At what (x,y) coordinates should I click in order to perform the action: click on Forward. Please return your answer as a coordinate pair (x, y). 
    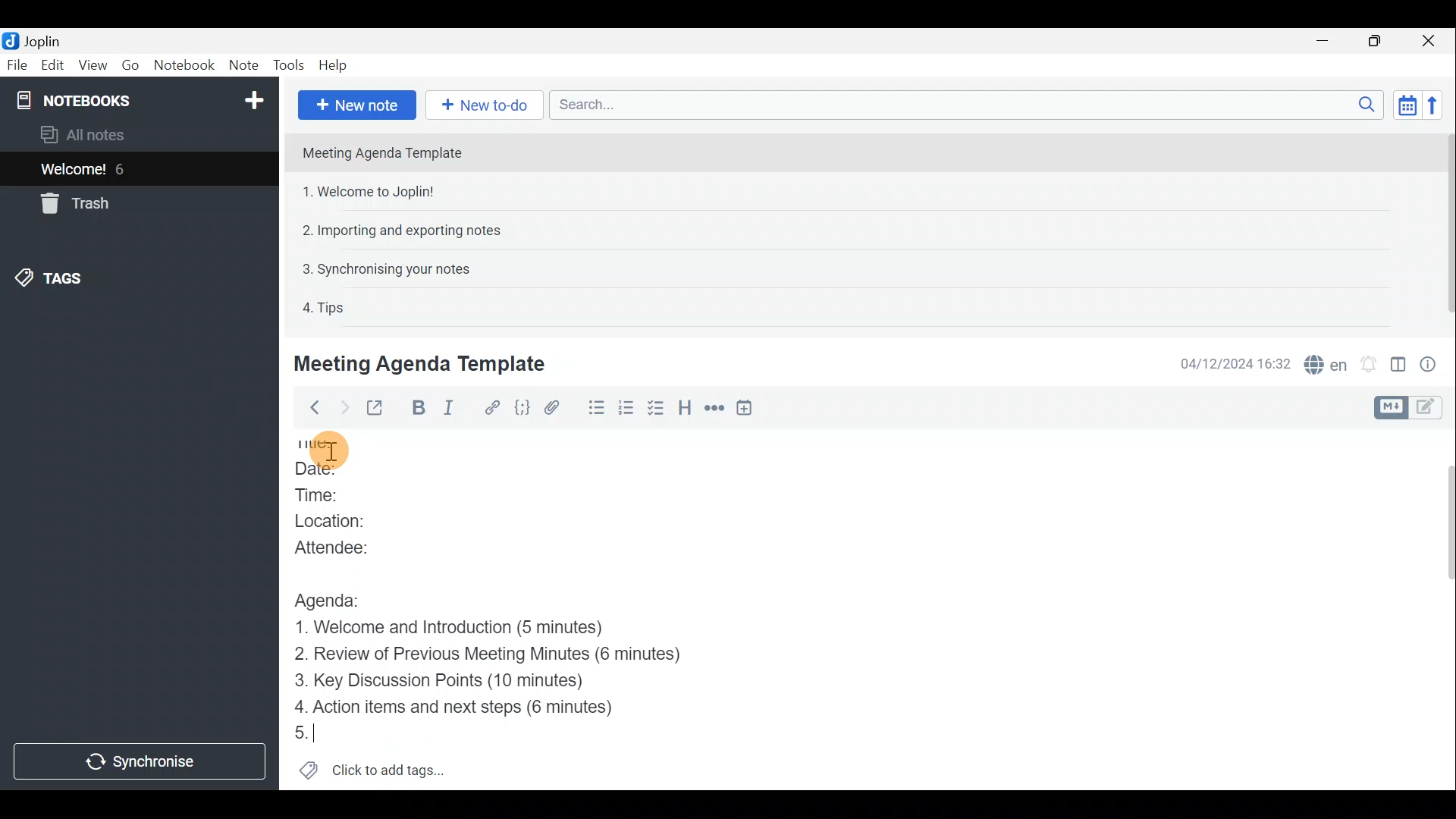
    Looking at the image, I should click on (342, 407).